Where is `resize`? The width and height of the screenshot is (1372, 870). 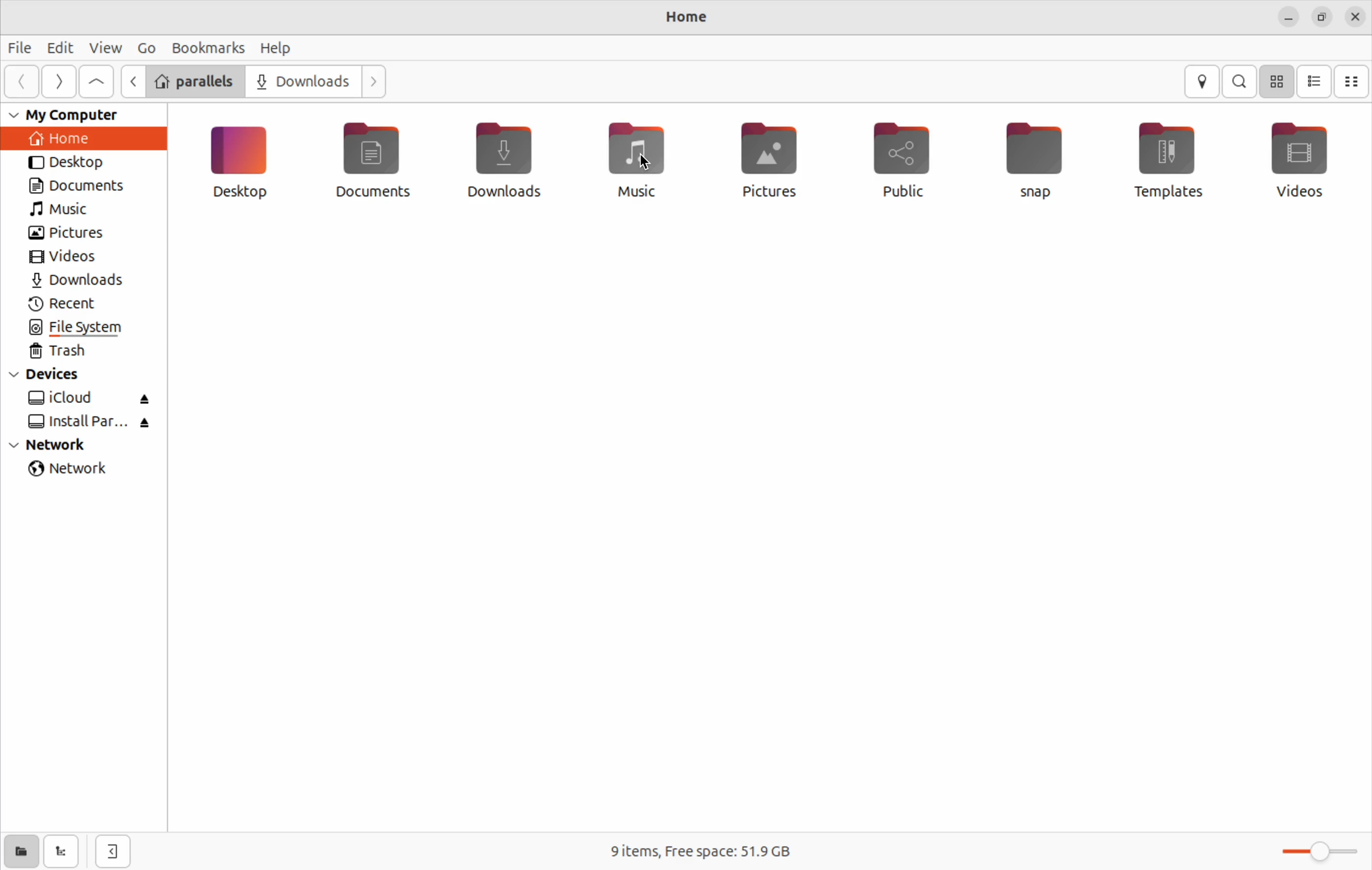
resize is located at coordinates (1325, 17).